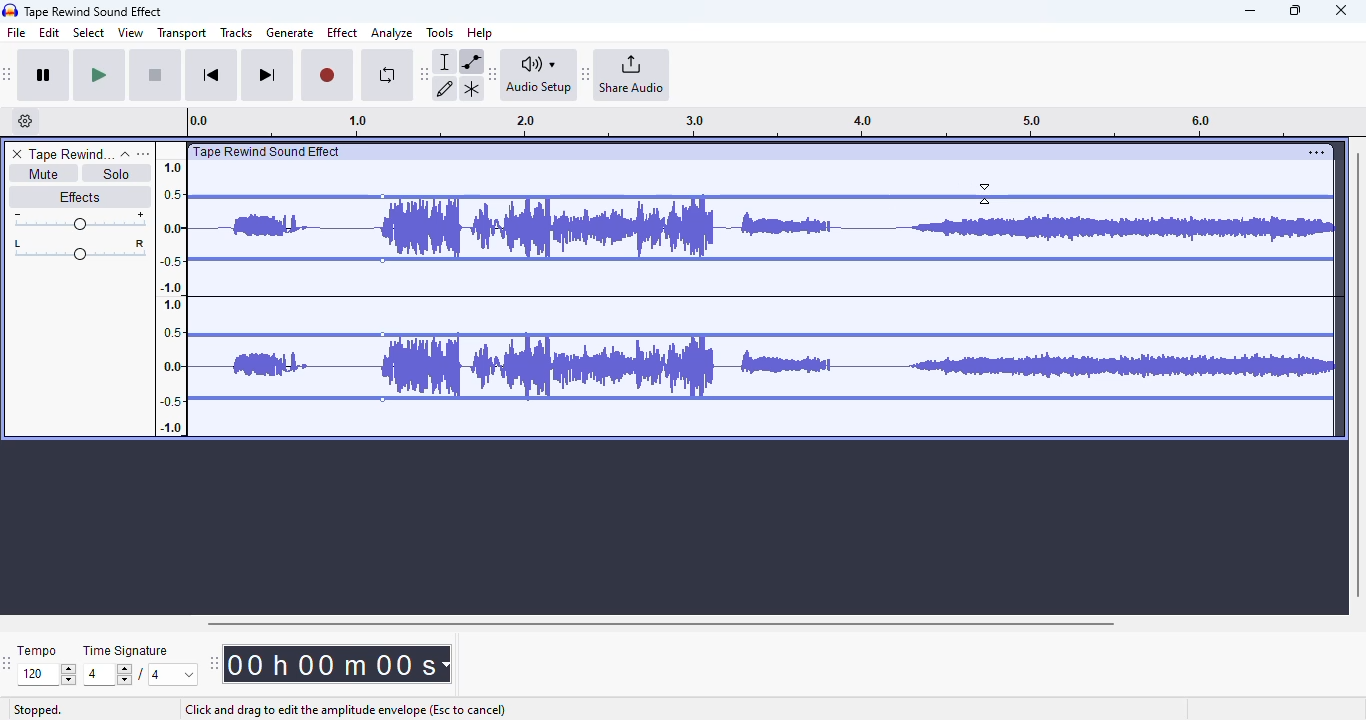 The height and width of the screenshot is (720, 1366). What do you see at coordinates (327, 76) in the screenshot?
I see `record` at bounding box center [327, 76].